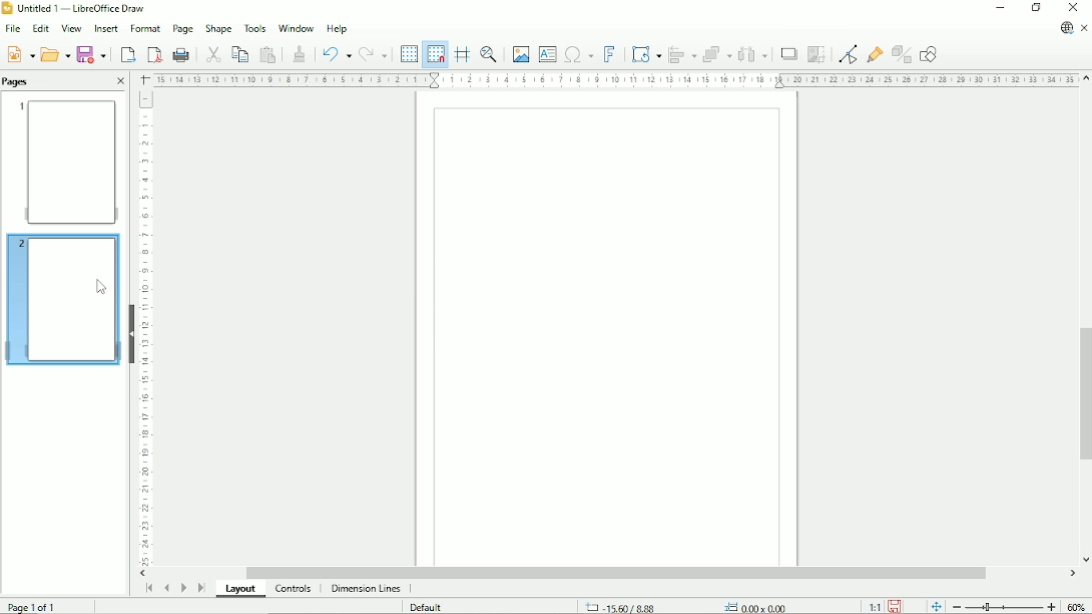 The image size is (1092, 614). Describe the element at coordinates (648, 54) in the screenshot. I see `Transformation` at that location.